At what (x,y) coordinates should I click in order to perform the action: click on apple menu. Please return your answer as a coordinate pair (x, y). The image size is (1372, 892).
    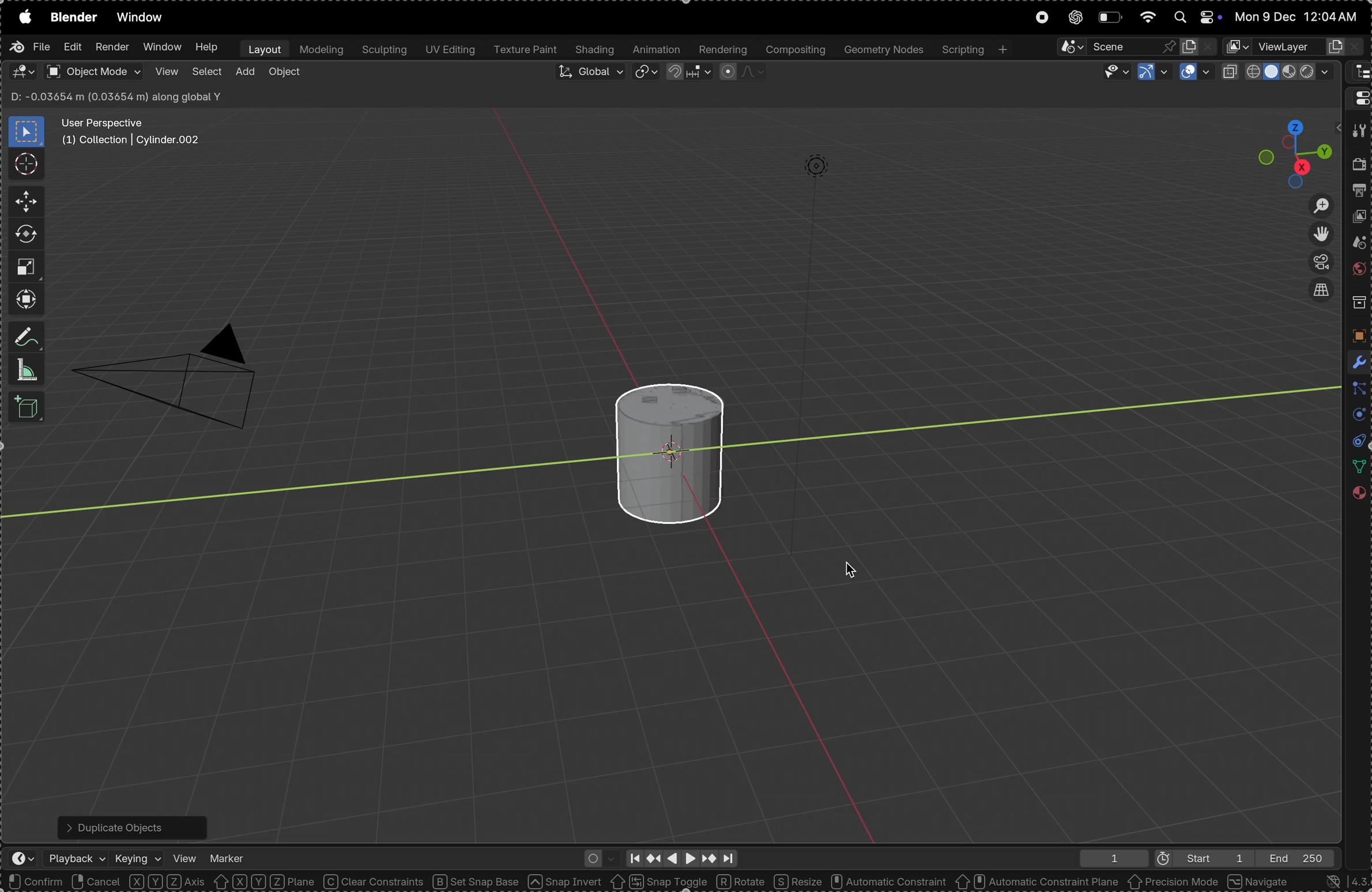
    Looking at the image, I should click on (22, 17).